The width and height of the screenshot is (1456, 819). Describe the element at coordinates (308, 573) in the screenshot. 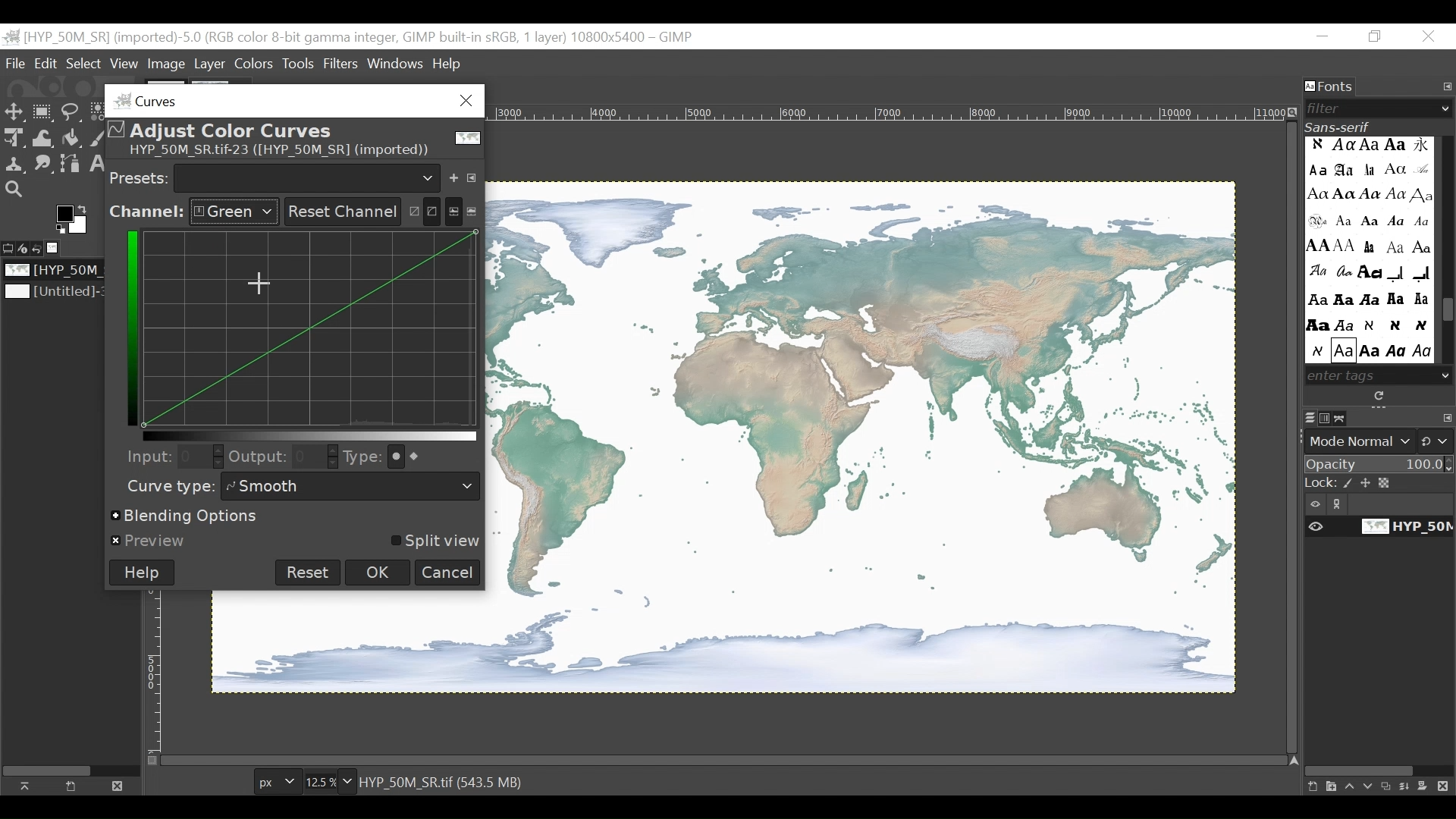

I see `Reset` at that location.